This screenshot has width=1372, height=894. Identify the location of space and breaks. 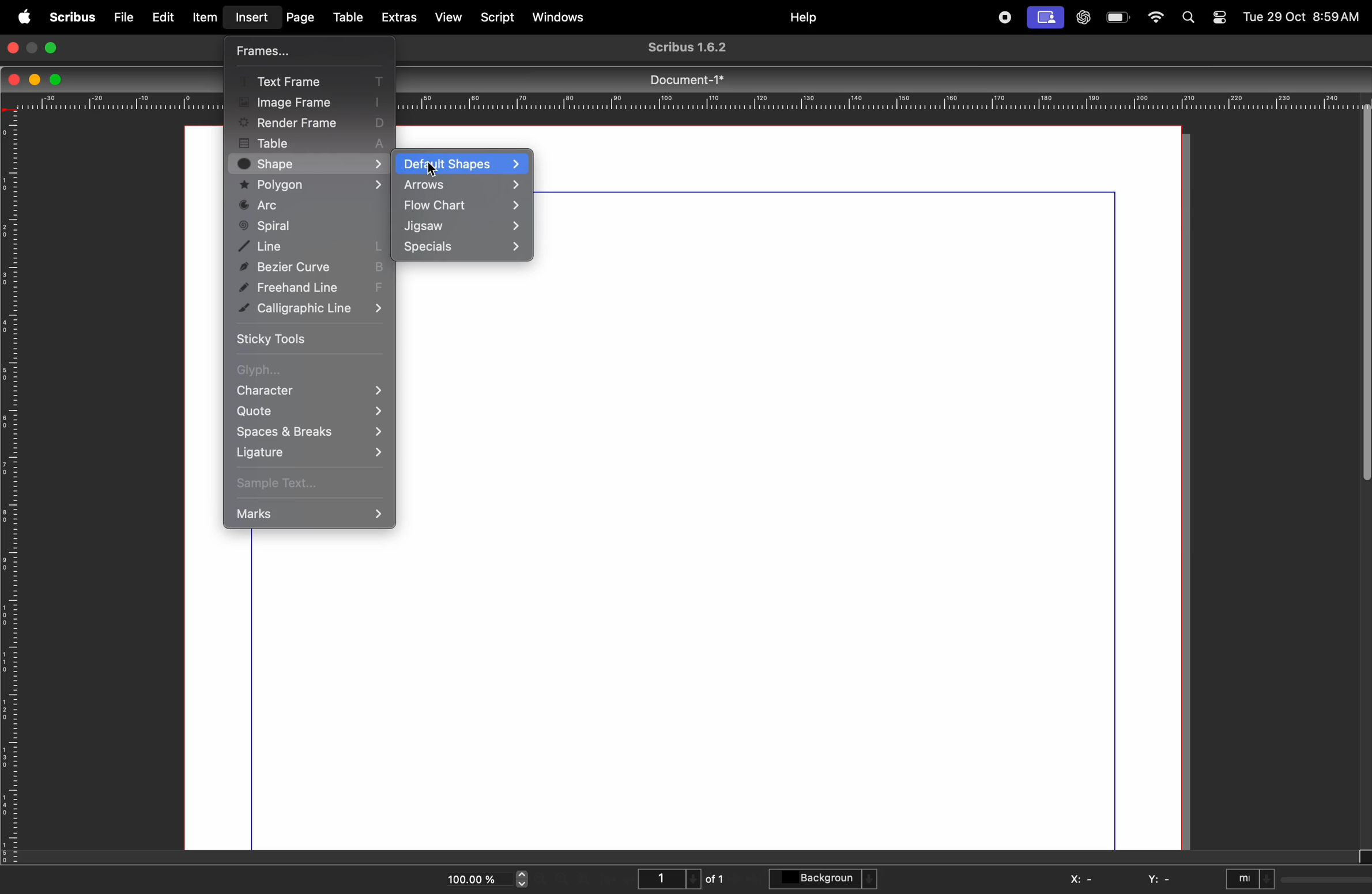
(307, 431).